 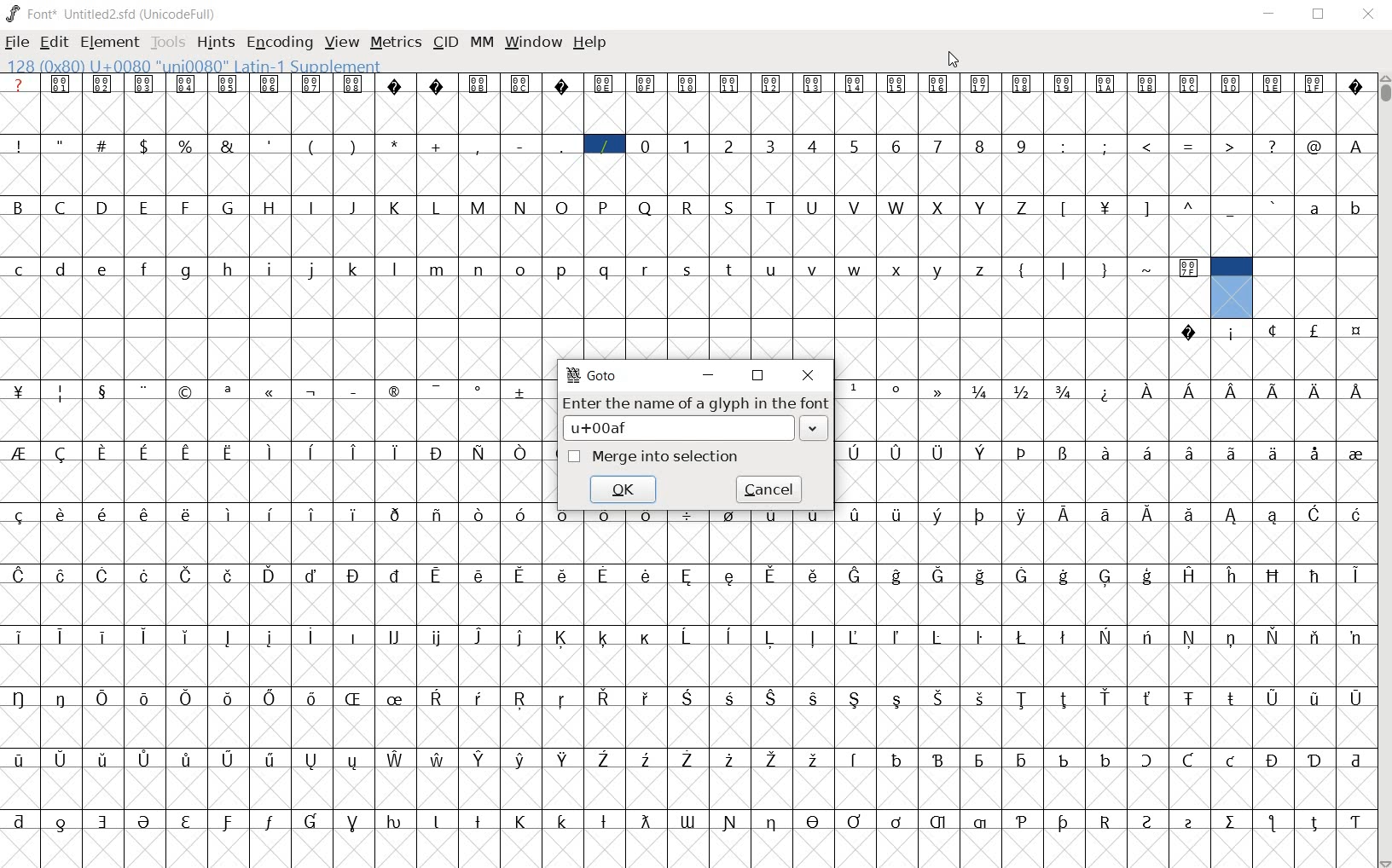 What do you see at coordinates (1106, 758) in the screenshot?
I see `Symbol` at bounding box center [1106, 758].